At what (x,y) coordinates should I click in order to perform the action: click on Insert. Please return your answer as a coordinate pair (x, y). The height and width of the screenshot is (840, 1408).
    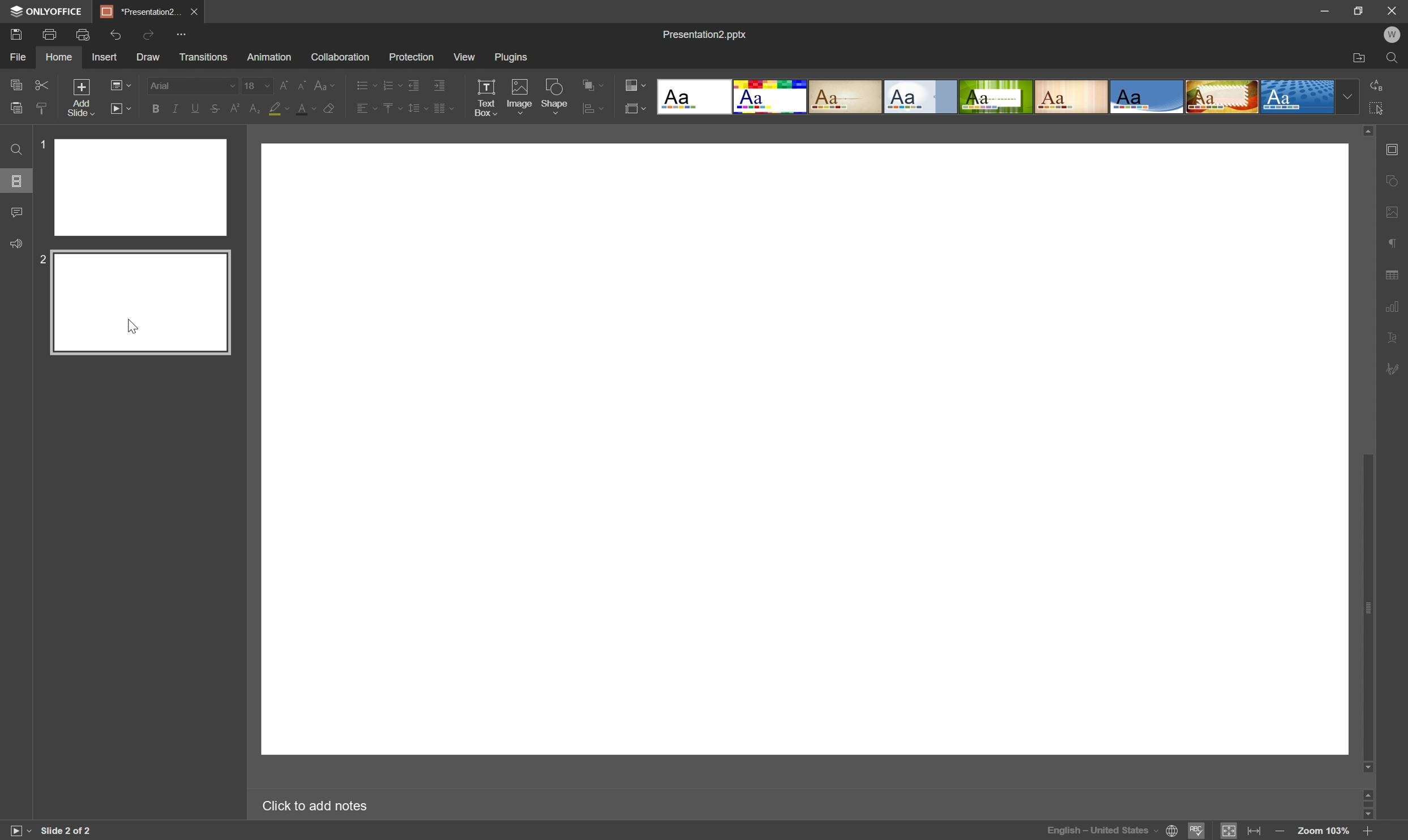
    Looking at the image, I should click on (103, 57).